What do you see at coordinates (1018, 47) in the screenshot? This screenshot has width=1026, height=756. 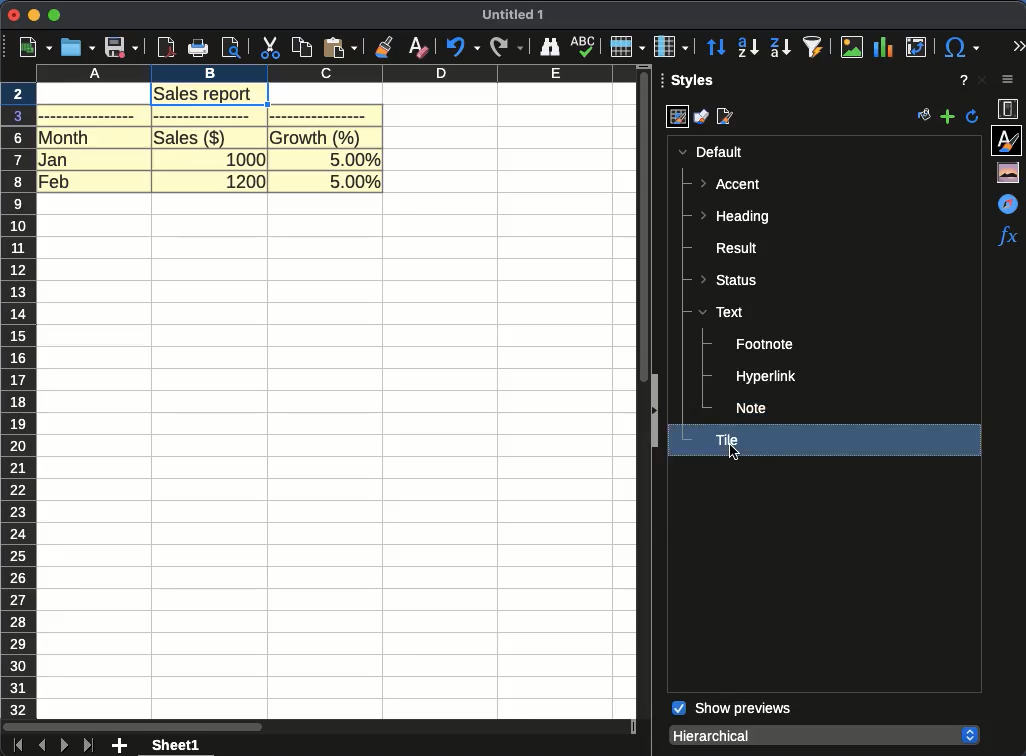 I see `expand` at bounding box center [1018, 47].